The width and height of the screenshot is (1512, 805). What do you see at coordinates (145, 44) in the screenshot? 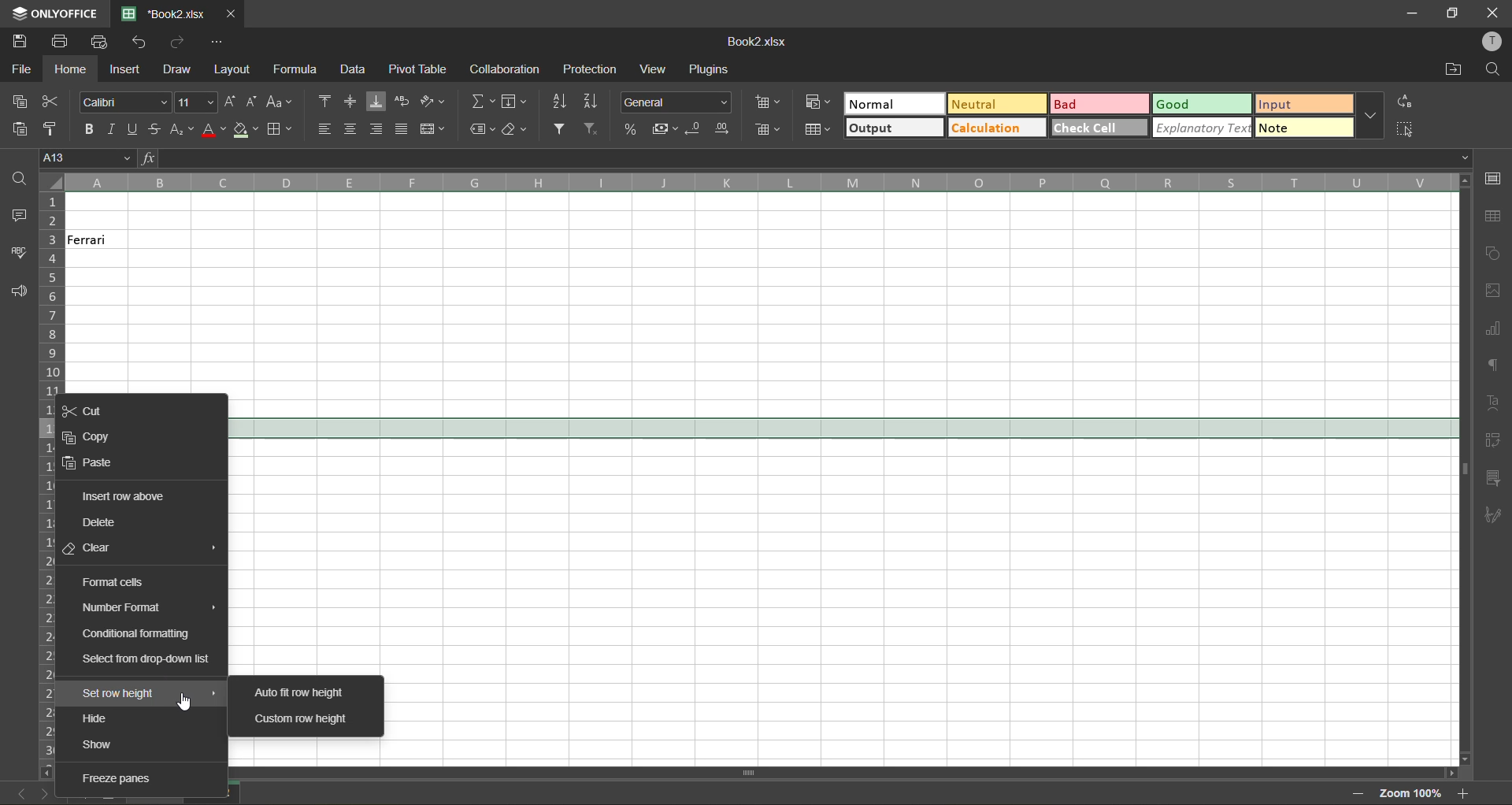
I see `undo` at bounding box center [145, 44].